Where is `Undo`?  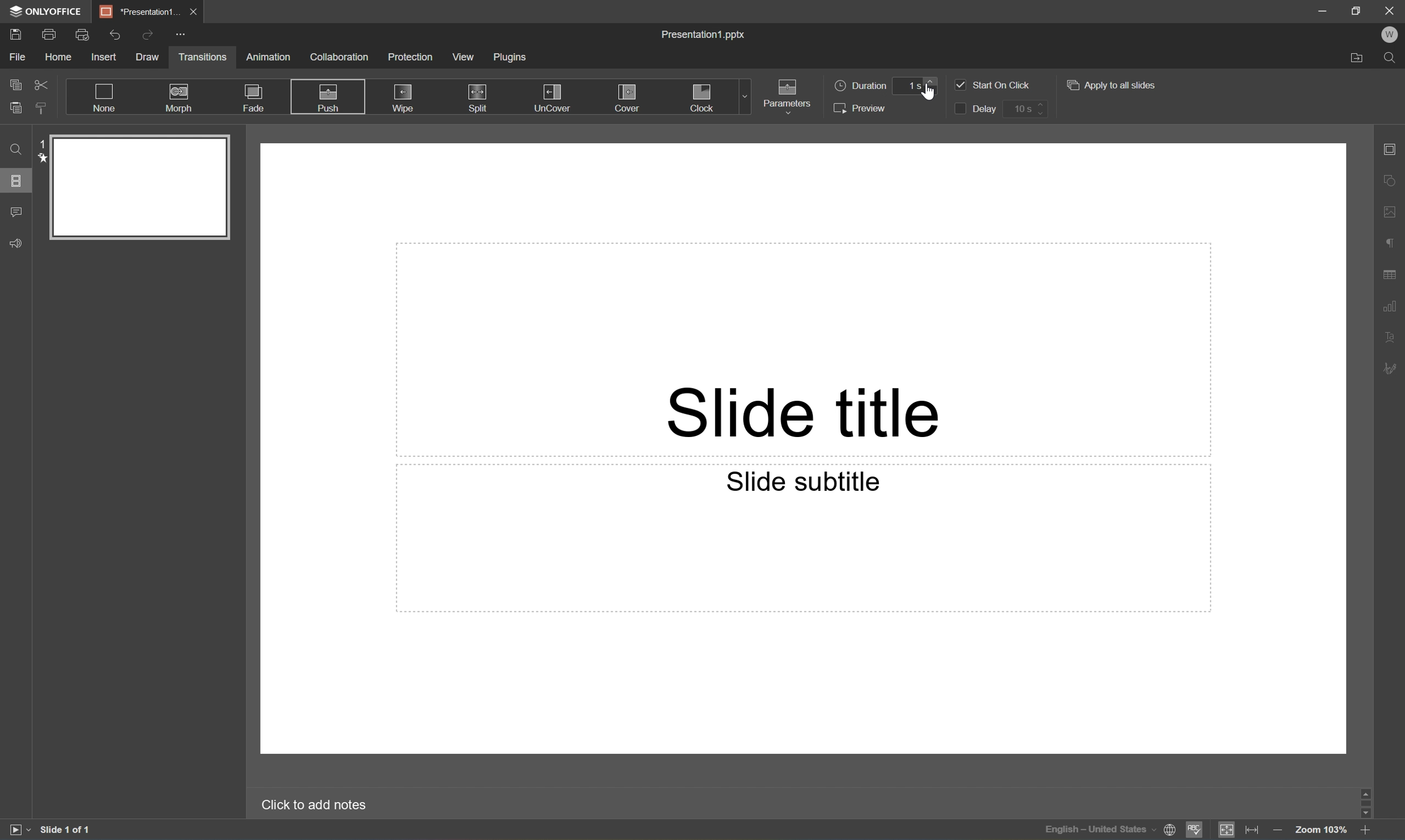 Undo is located at coordinates (115, 33).